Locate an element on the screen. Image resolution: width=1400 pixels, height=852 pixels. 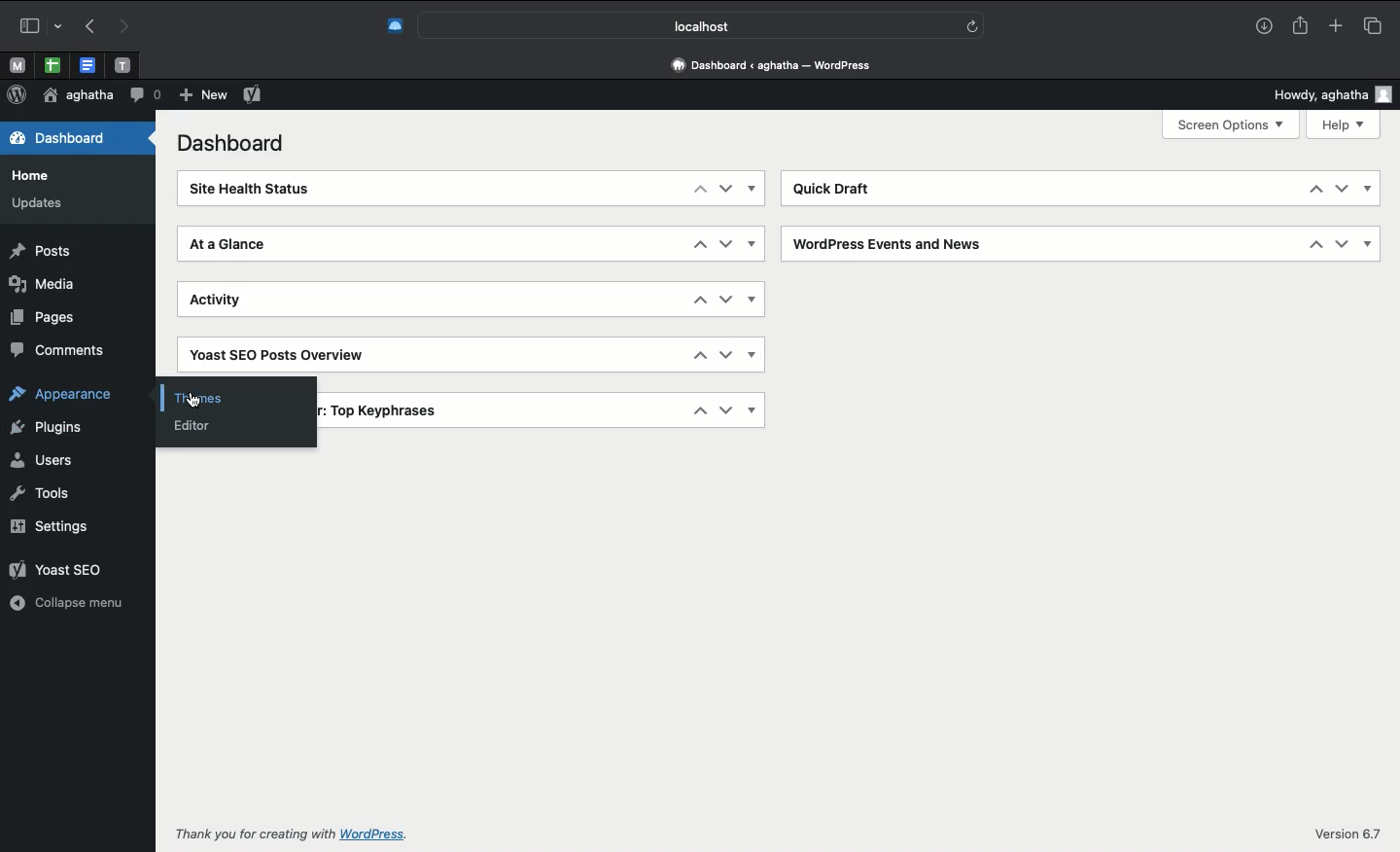
Yoast SEO is located at coordinates (252, 93).